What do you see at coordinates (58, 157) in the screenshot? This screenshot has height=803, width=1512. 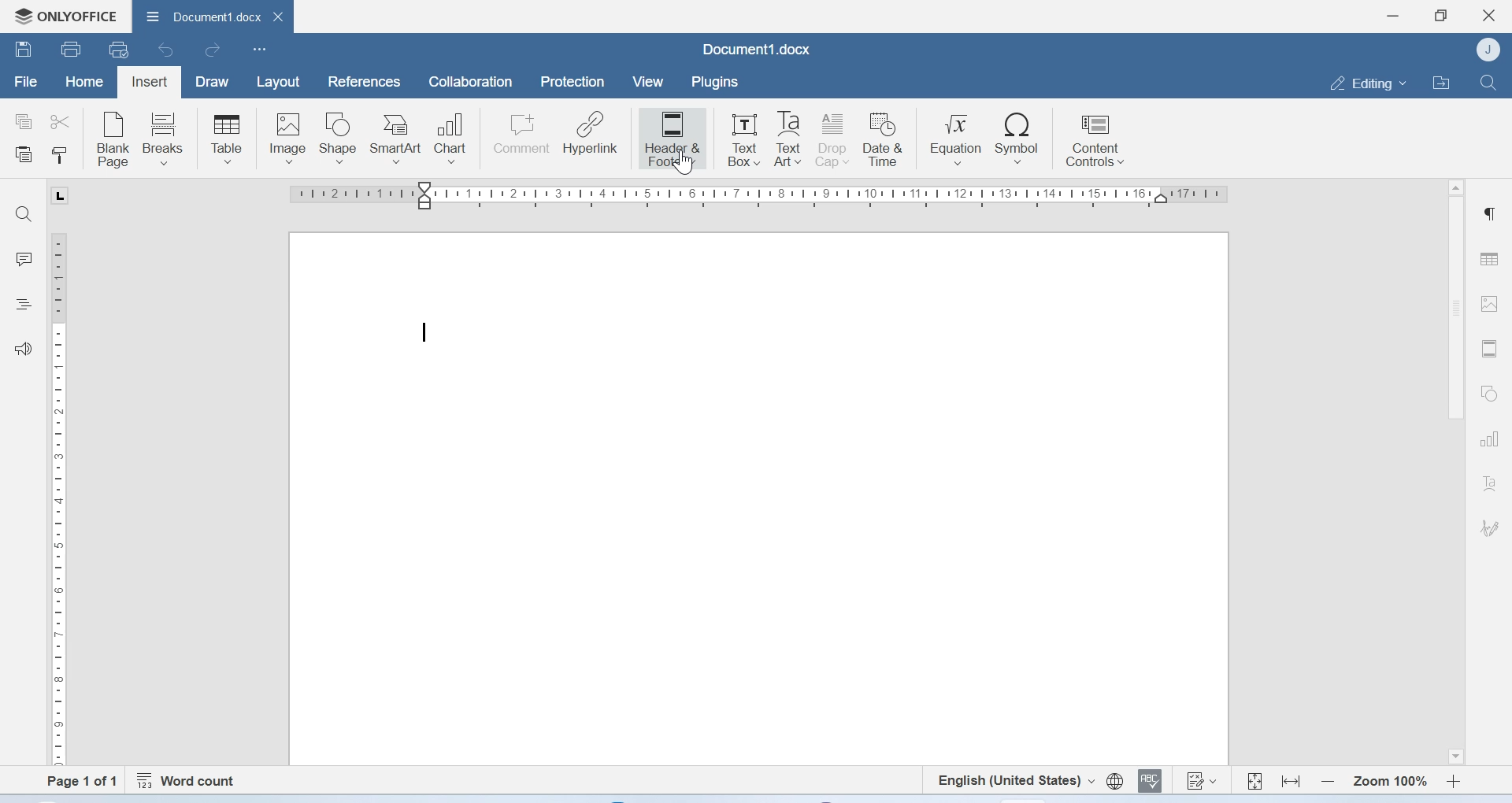 I see `Copy style` at bounding box center [58, 157].